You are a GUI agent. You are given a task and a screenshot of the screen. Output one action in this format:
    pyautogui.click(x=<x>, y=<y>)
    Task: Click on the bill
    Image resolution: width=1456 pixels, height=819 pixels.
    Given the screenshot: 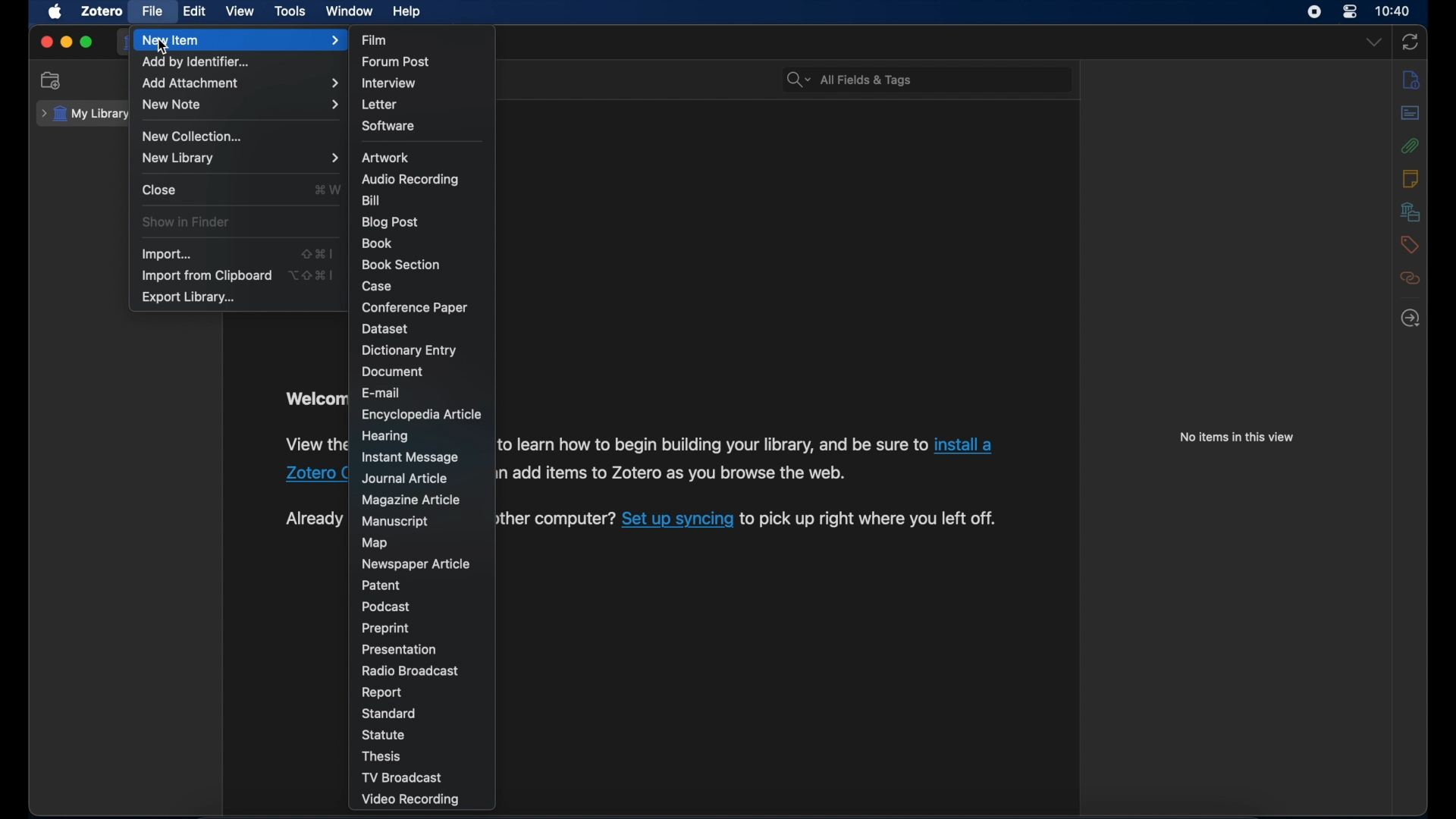 What is the action you would take?
    pyautogui.click(x=372, y=200)
    